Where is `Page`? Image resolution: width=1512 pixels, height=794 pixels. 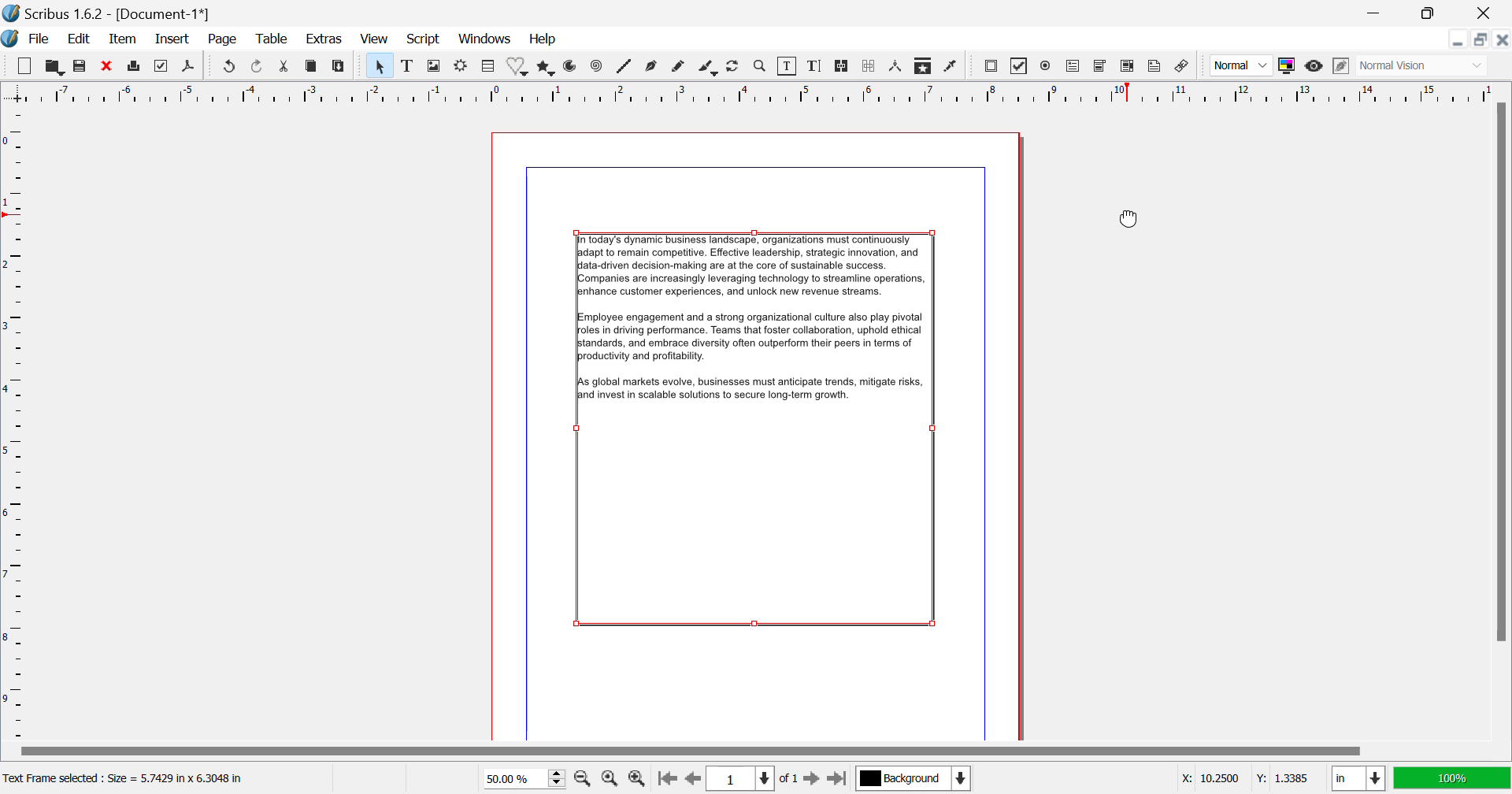 Page is located at coordinates (223, 41).